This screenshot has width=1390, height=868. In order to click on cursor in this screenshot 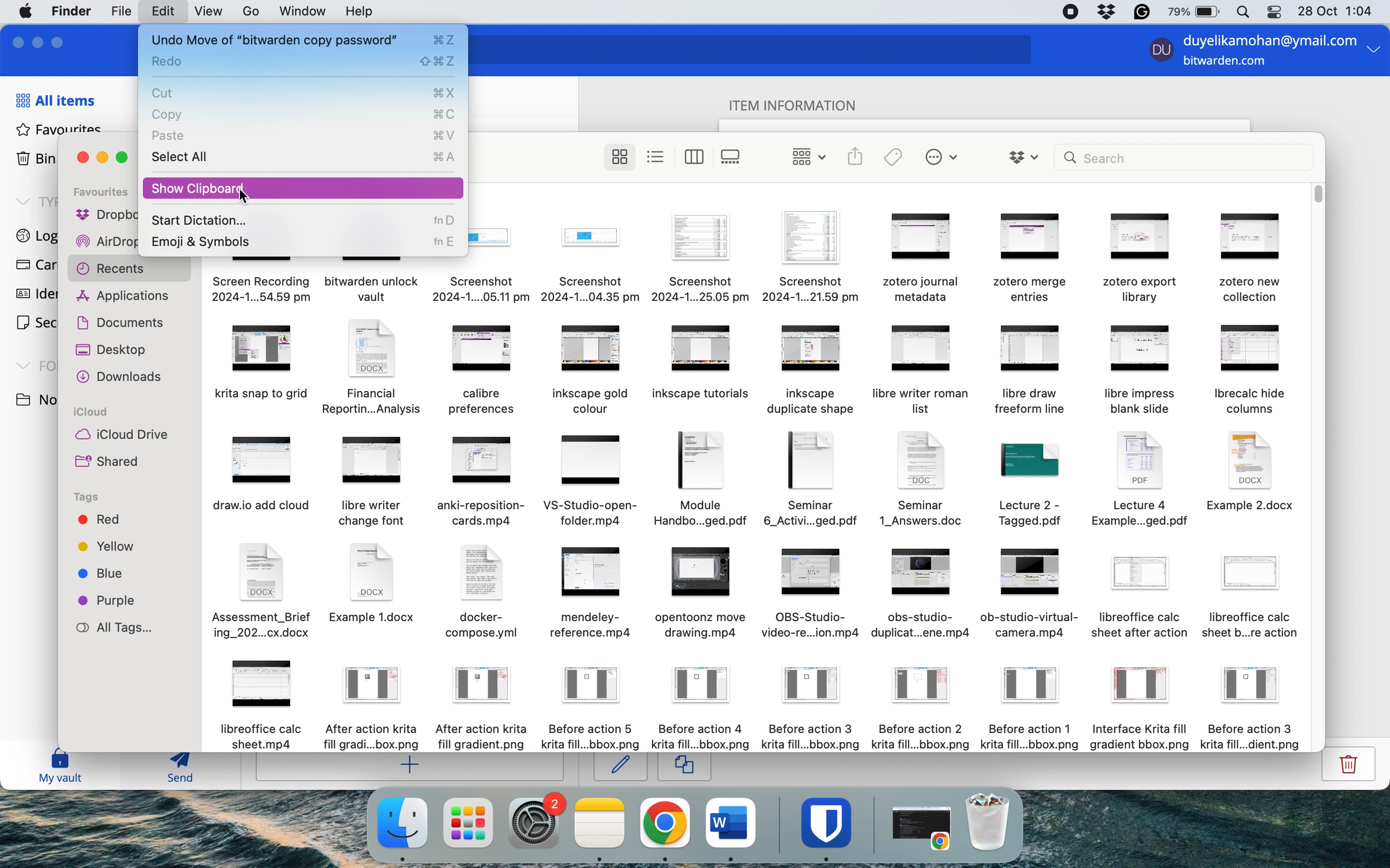, I will do `click(404, 848)`.